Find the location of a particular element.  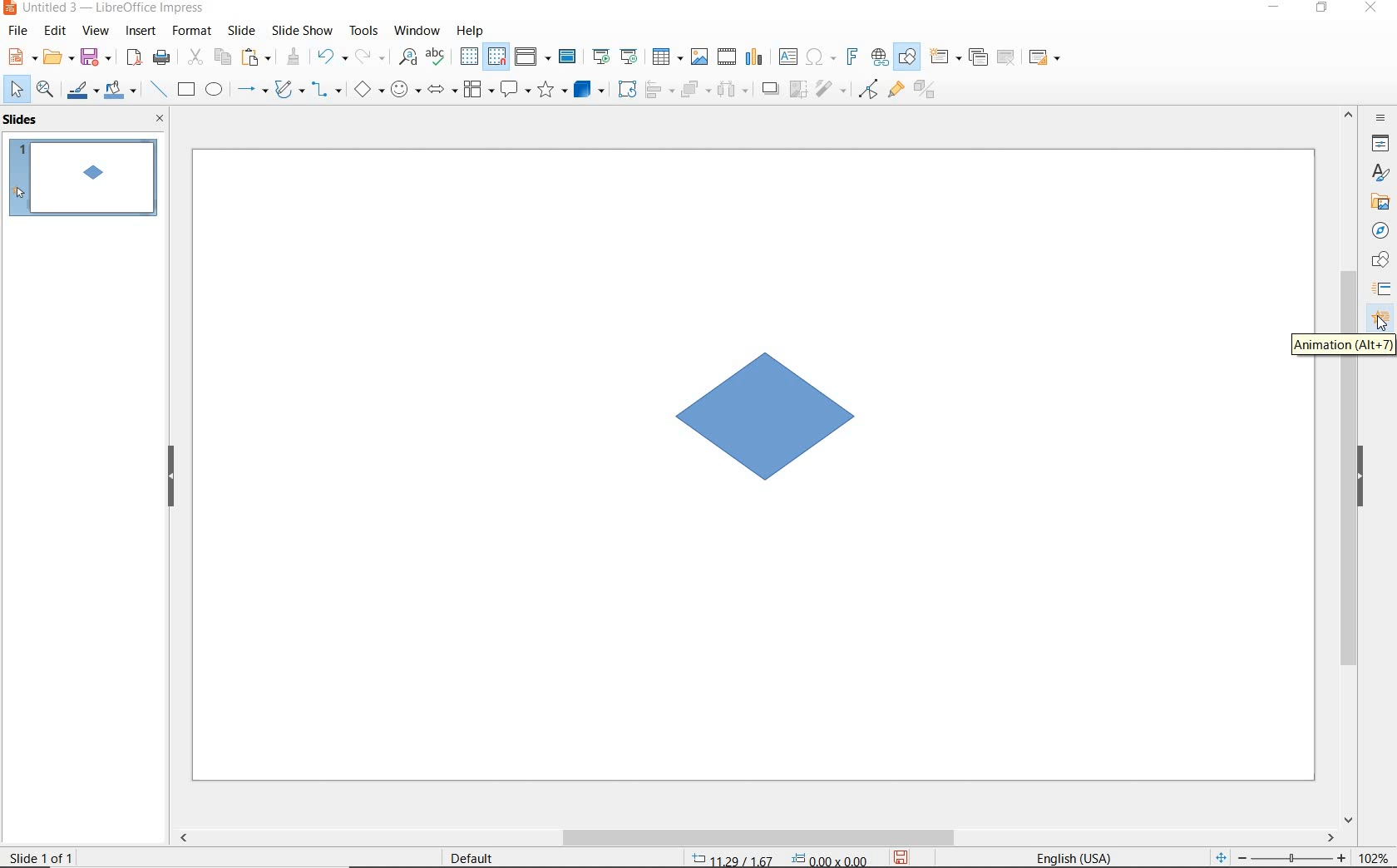

slide 1 is located at coordinates (82, 180).